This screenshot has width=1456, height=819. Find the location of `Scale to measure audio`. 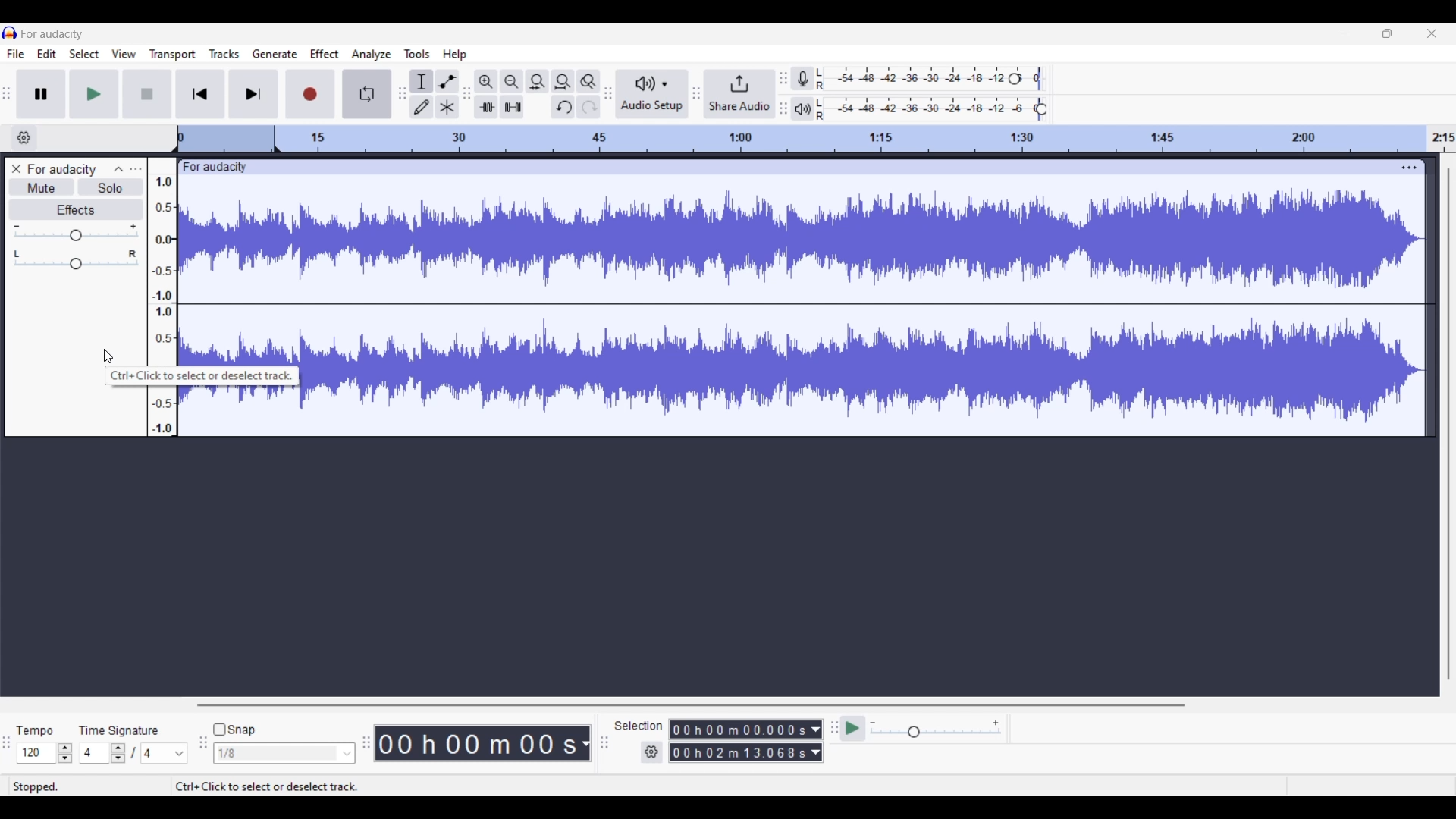

Scale to measure audio is located at coordinates (162, 262).